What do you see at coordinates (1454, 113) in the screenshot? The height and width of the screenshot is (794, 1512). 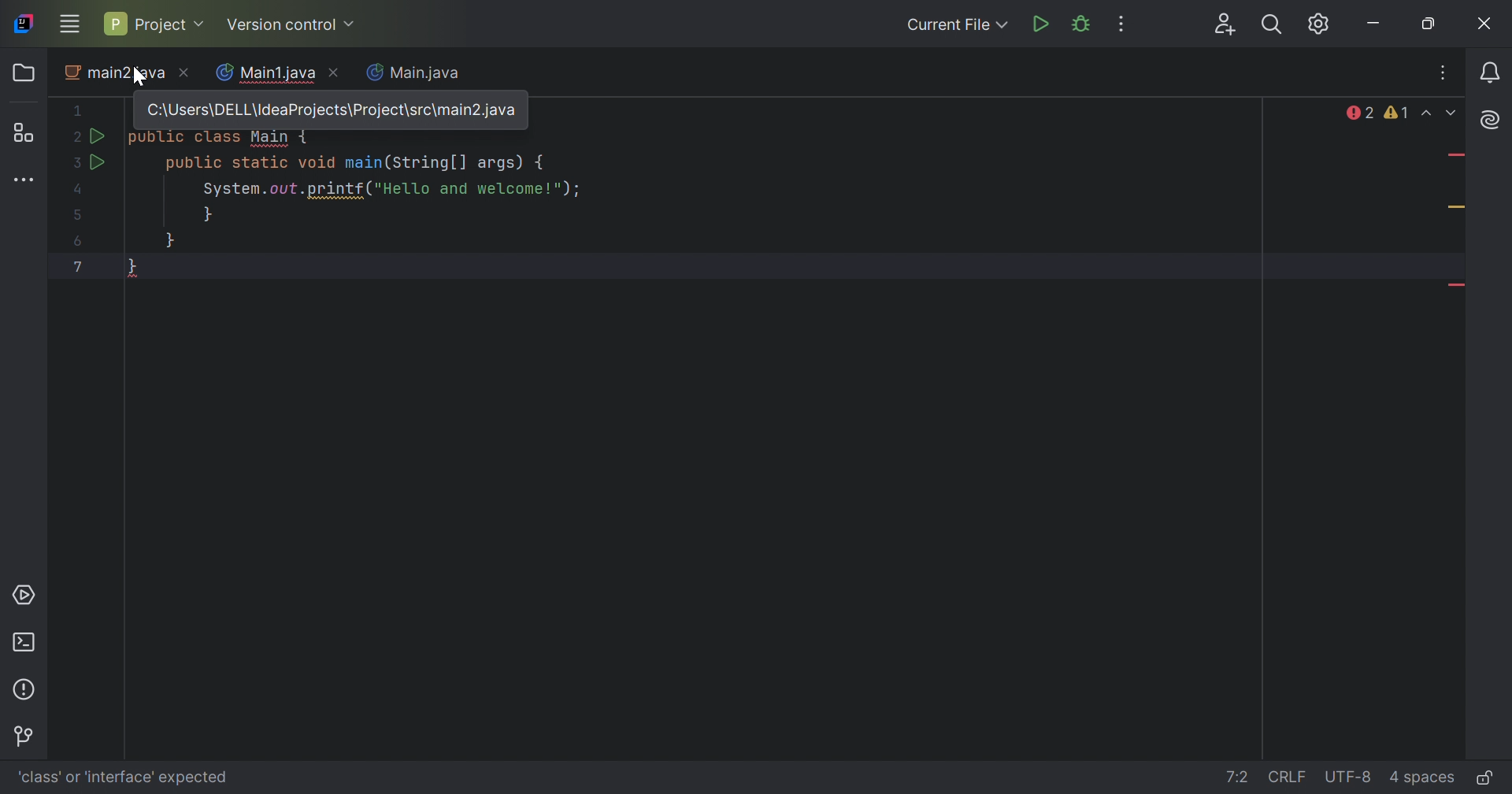 I see `Next Highlighted Error` at bounding box center [1454, 113].